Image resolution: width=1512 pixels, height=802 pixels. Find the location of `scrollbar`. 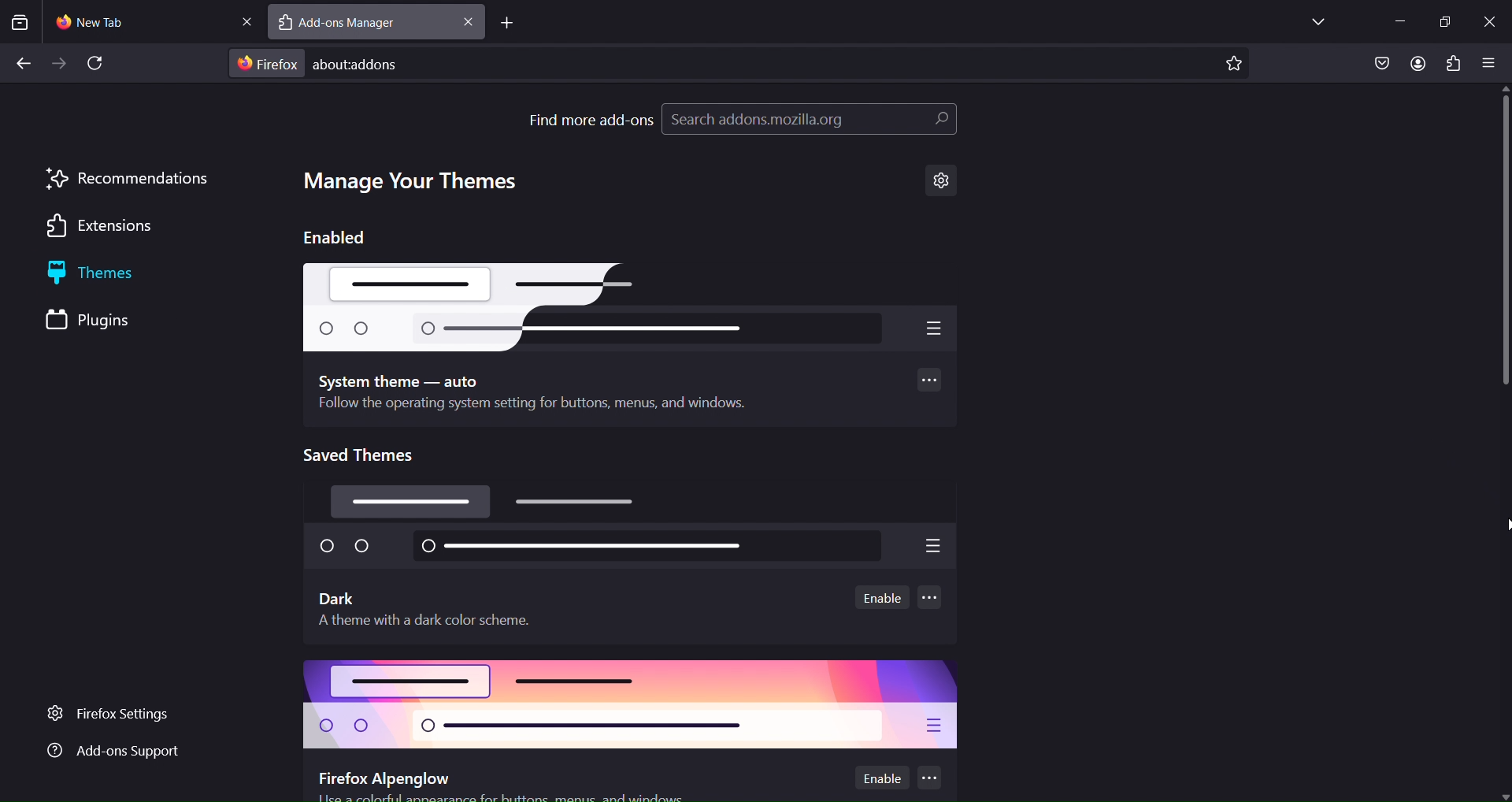

scrollbar is located at coordinates (1503, 269).